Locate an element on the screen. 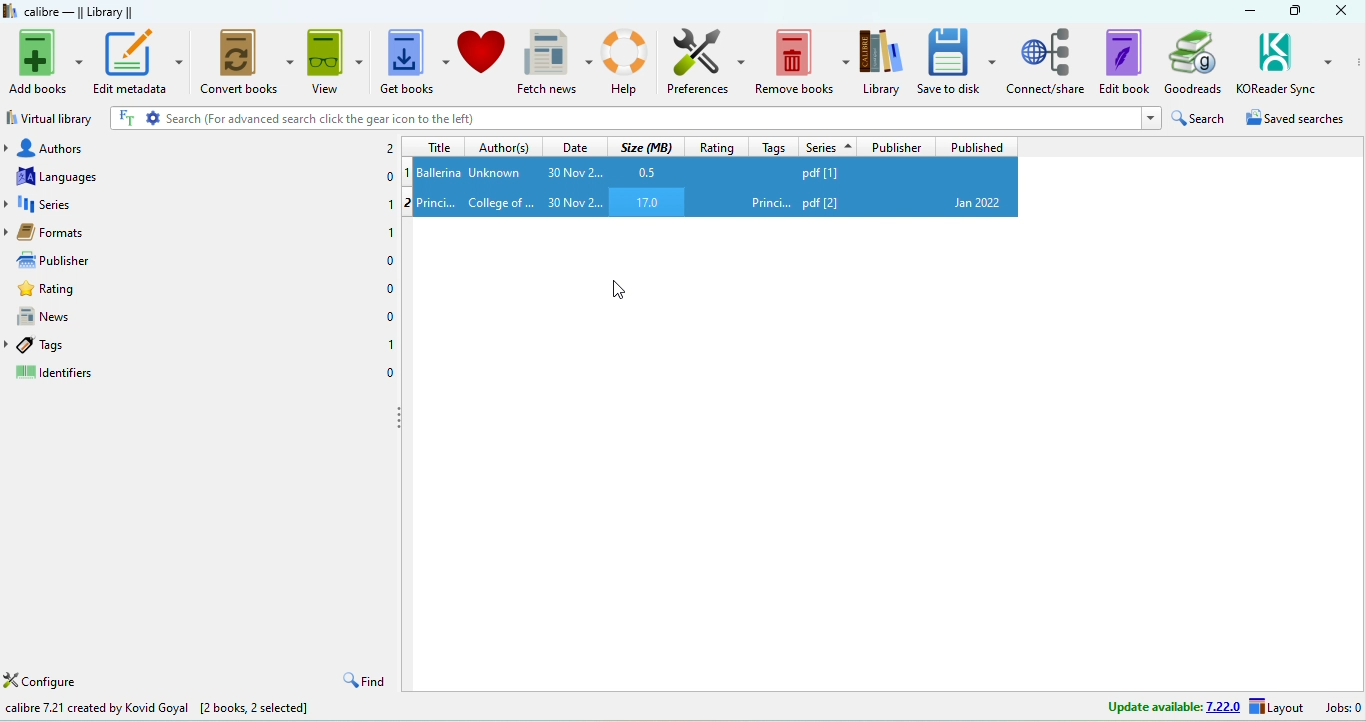  drop down is located at coordinates (9, 344).